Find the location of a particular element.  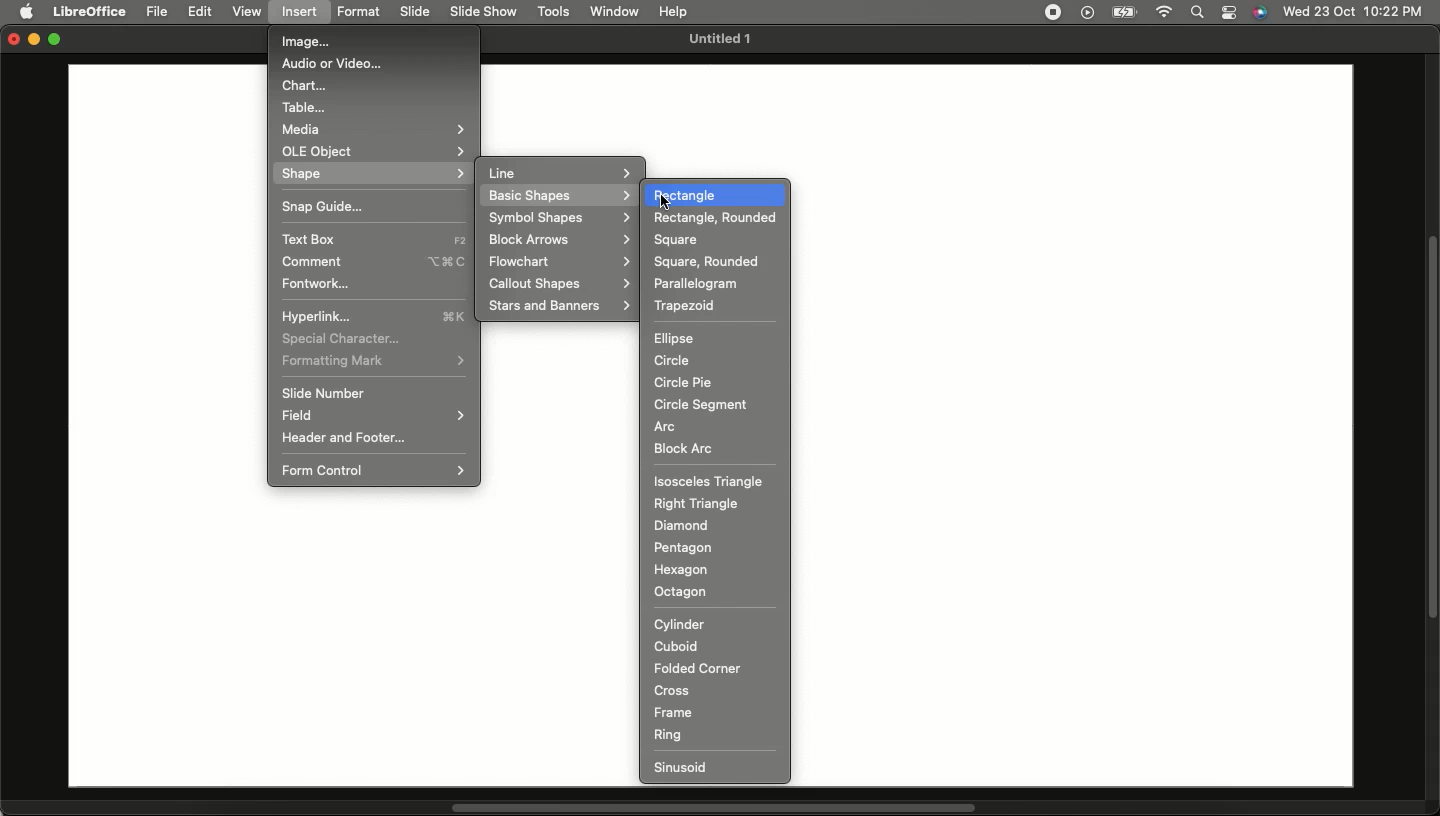

Chart is located at coordinates (303, 86).